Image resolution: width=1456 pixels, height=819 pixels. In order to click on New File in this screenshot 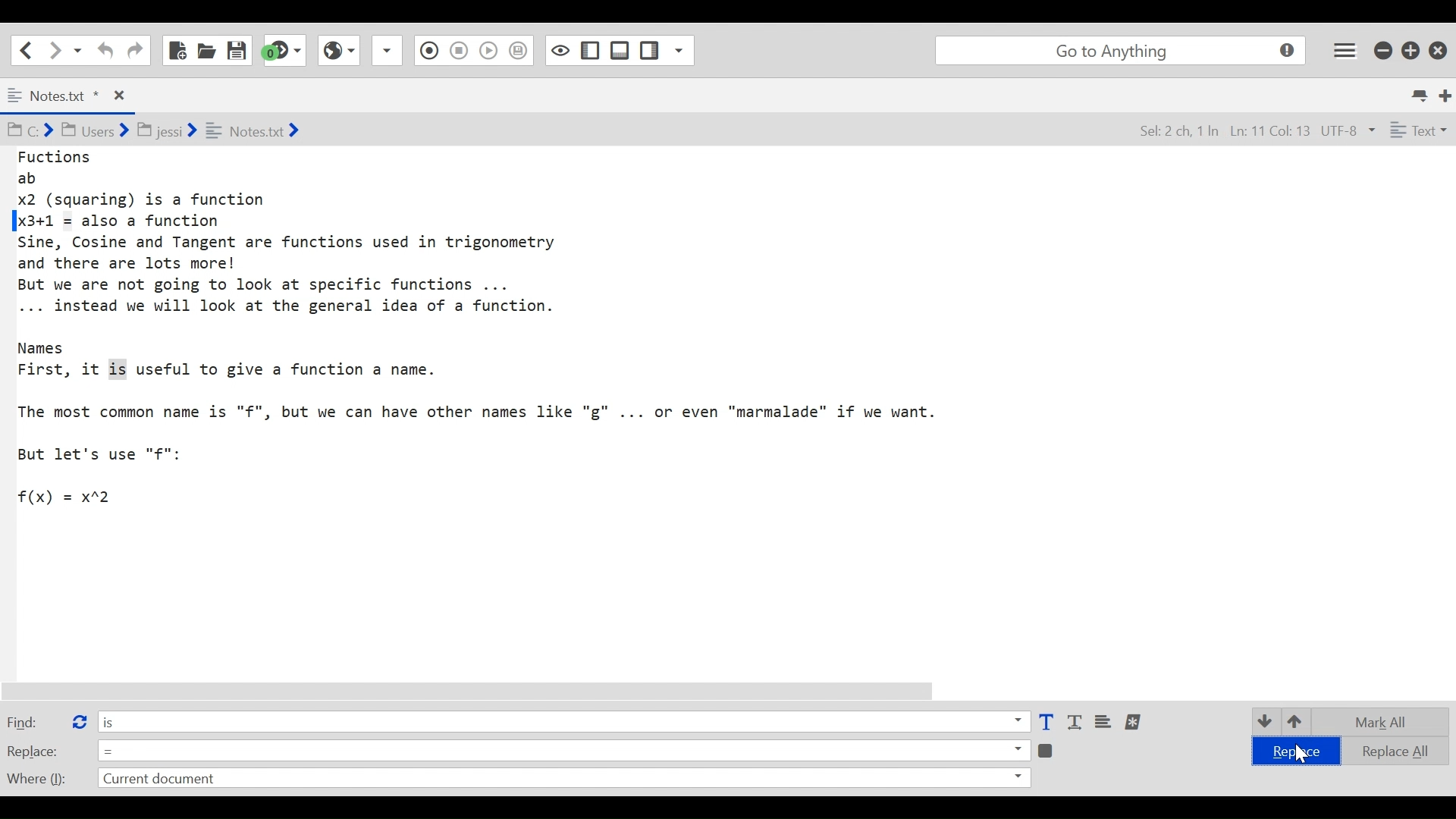, I will do `click(176, 50)`.